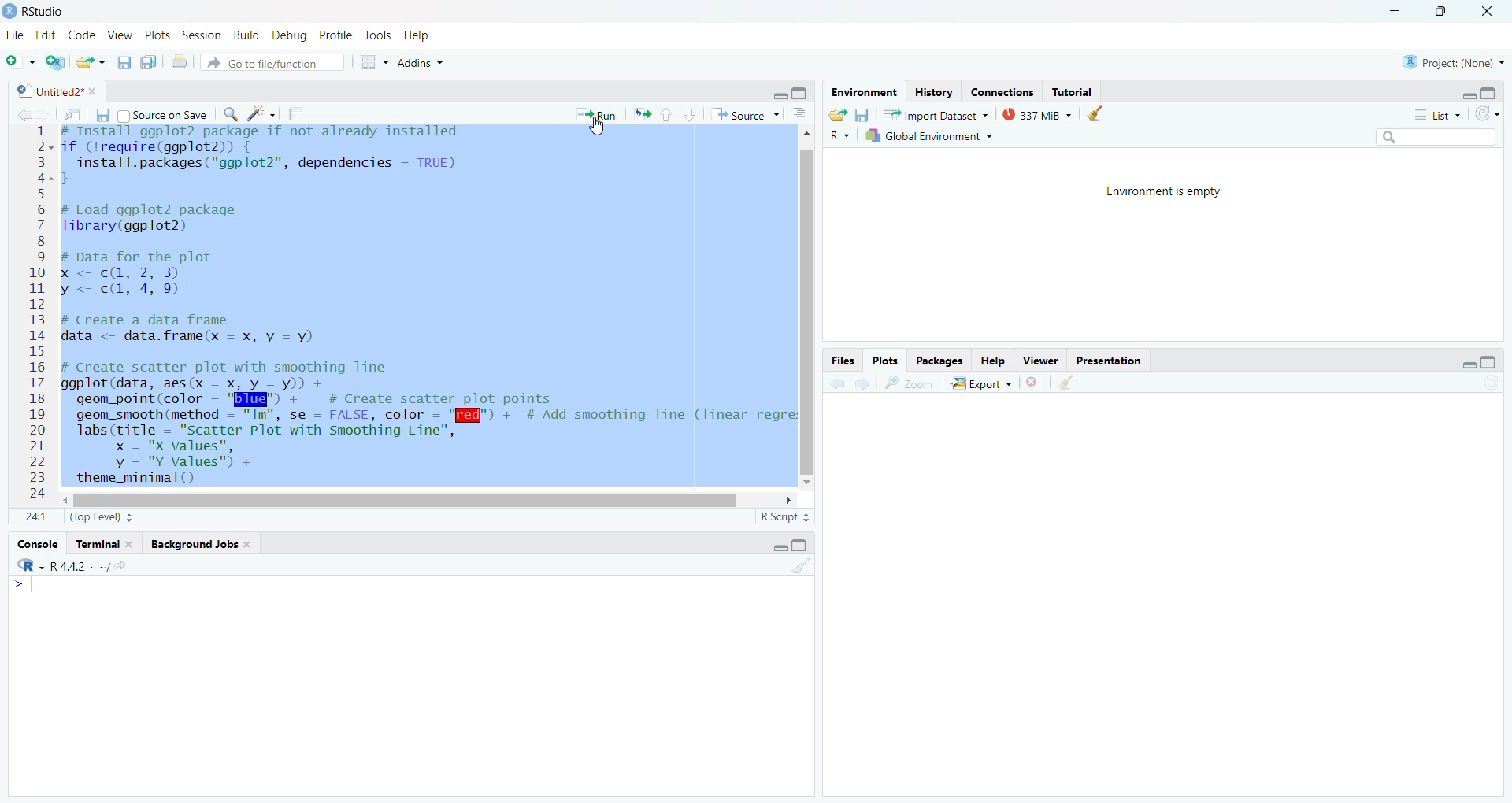  I want to click on  Untitled2*, so click(59, 92).